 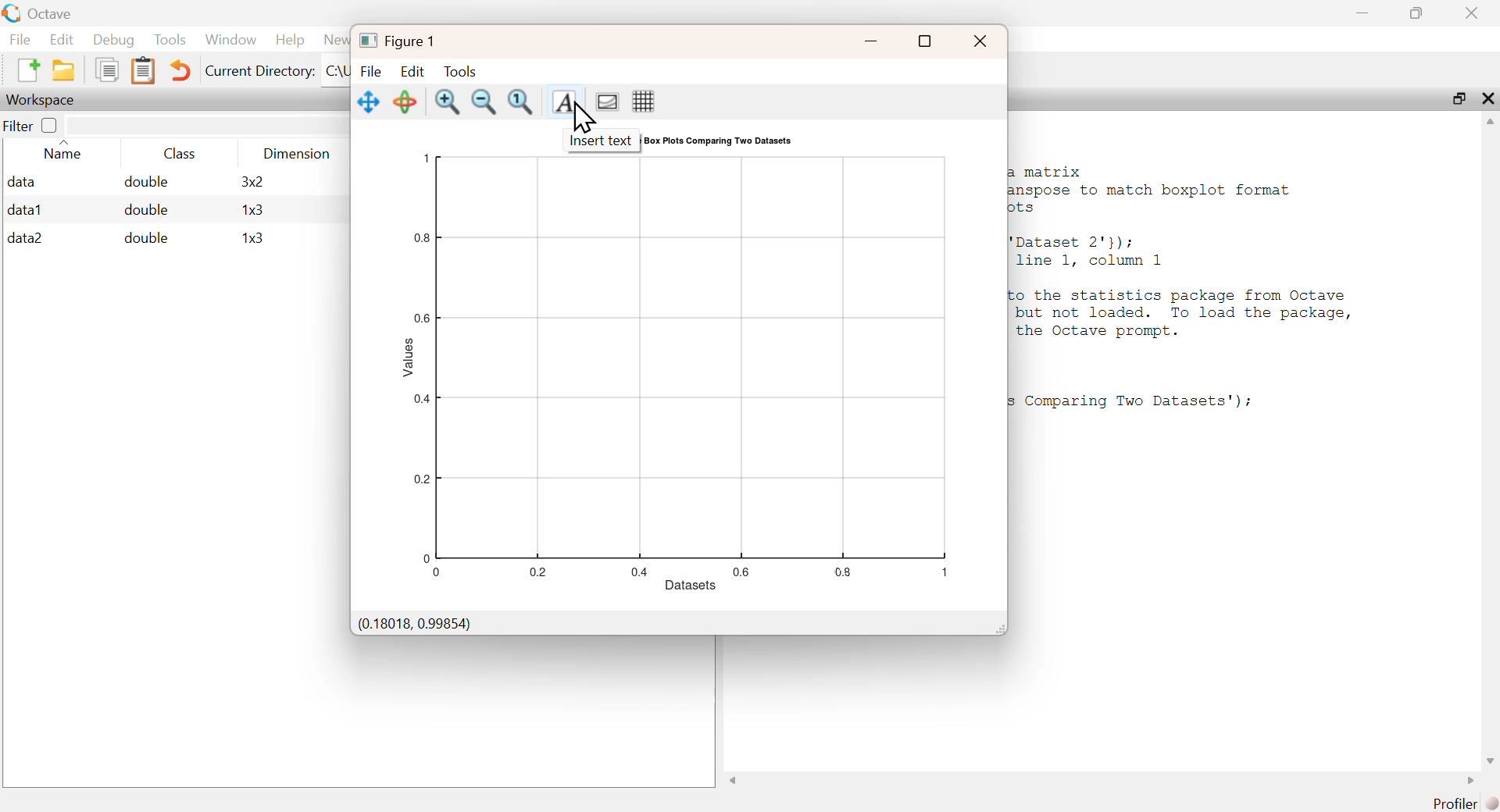 What do you see at coordinates (63, 70) in the screenshot?
I see `New Folder` at bounding box center [63, 70].